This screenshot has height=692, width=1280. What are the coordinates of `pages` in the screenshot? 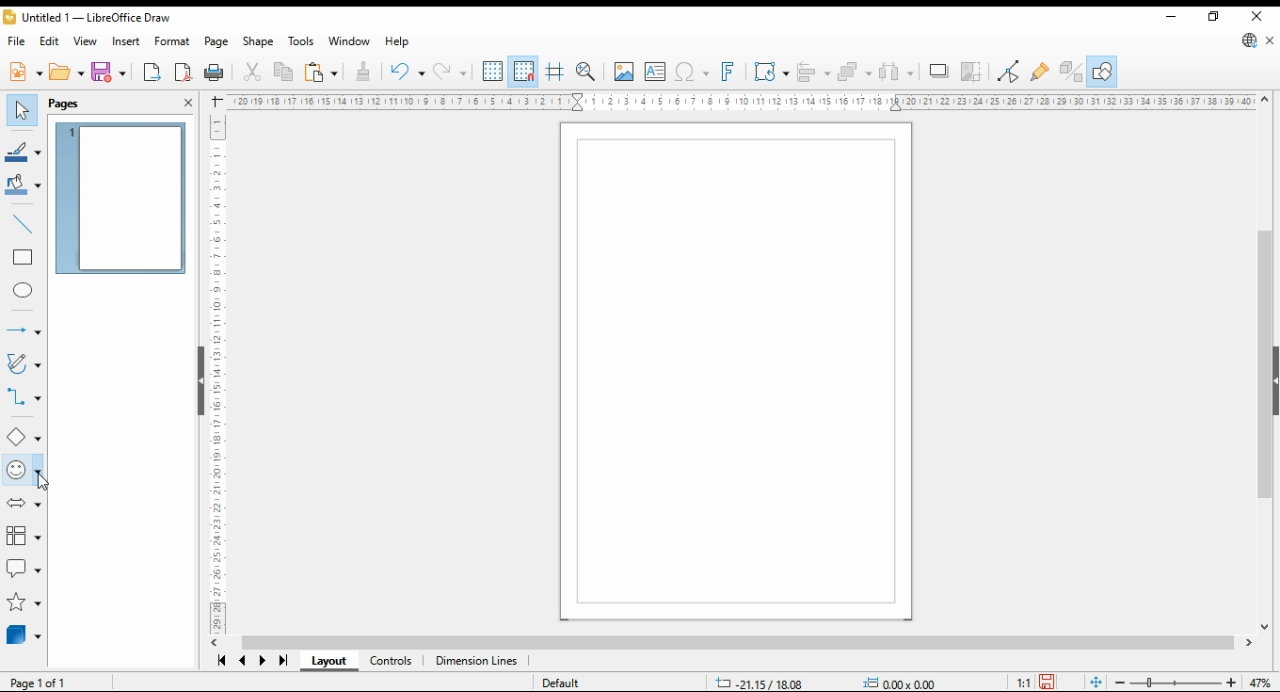 It's located at (80, 103).